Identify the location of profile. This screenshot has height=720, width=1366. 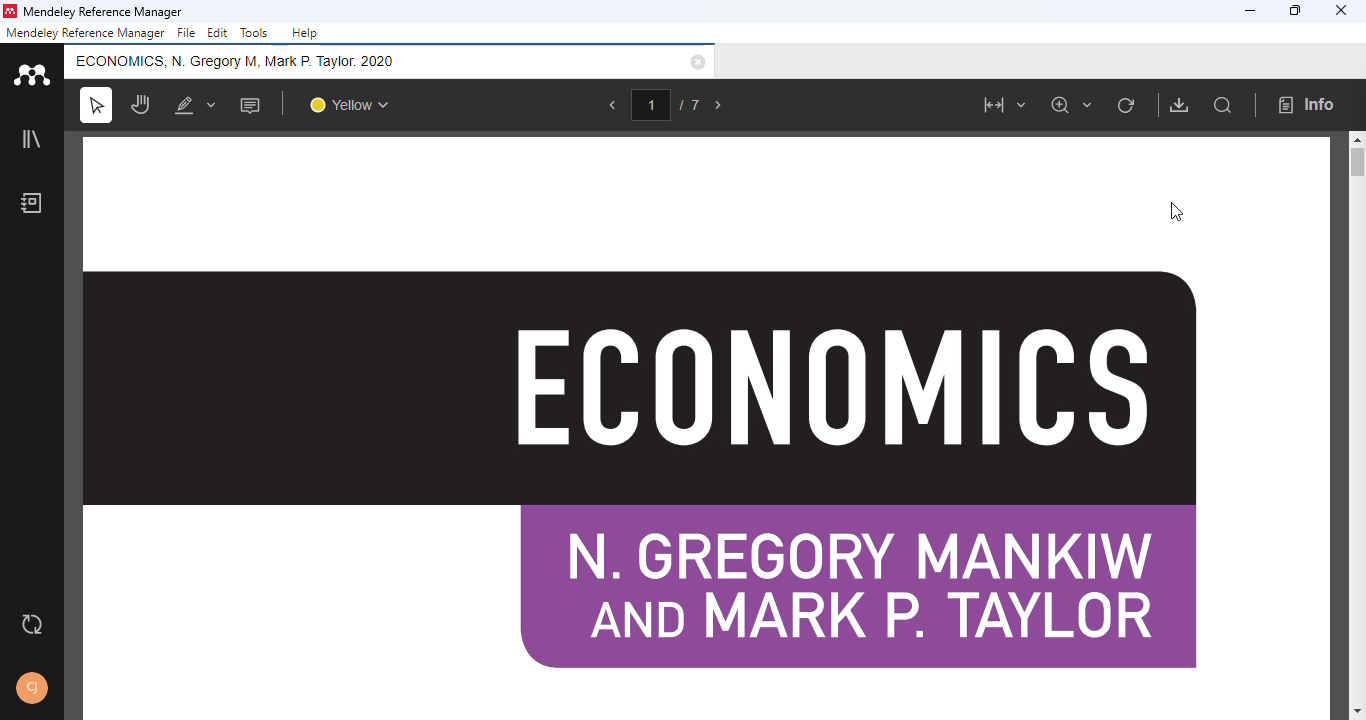
(33, 689).